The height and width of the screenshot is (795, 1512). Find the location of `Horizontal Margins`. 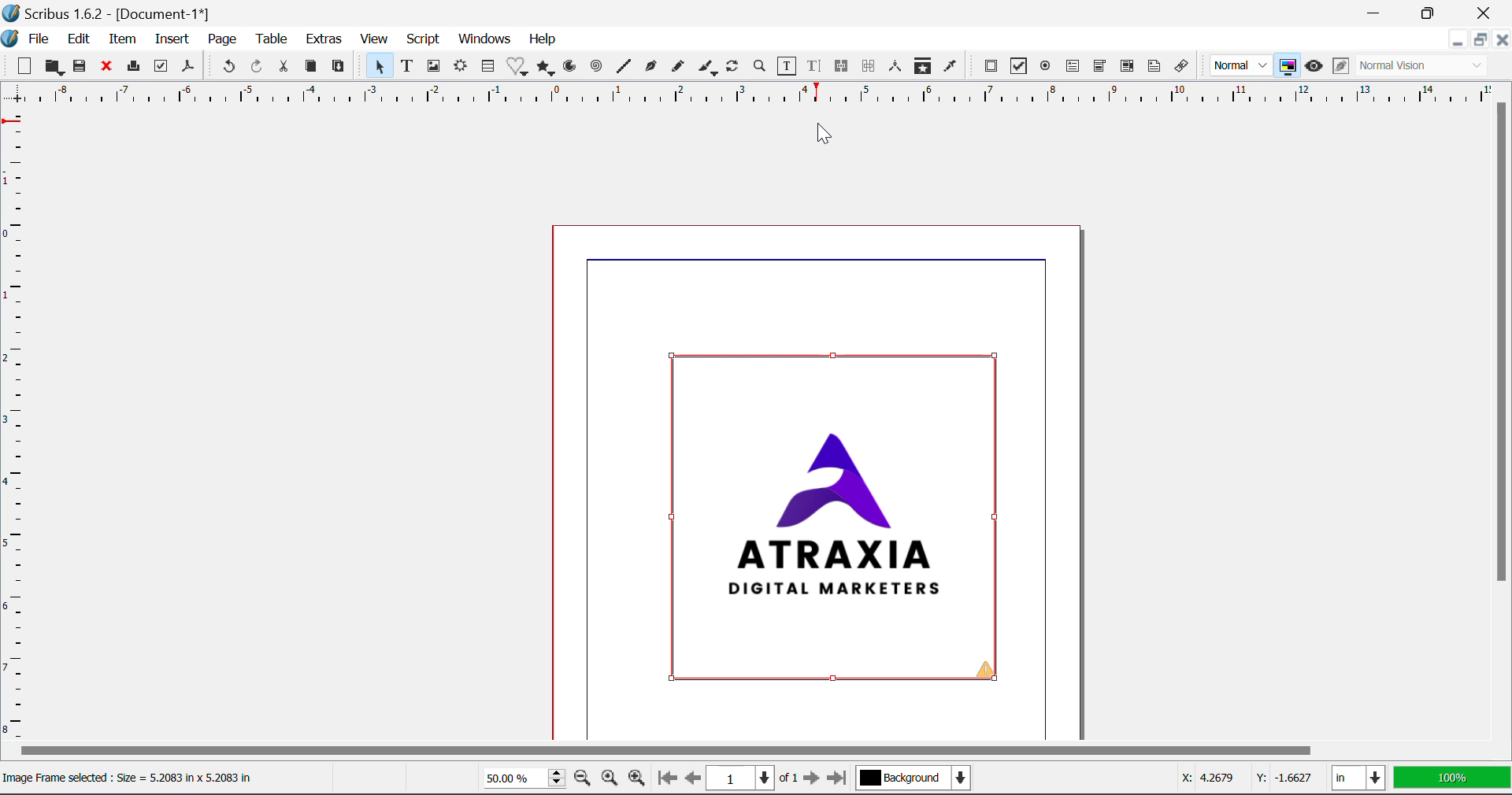

Horizontal Margins is located at coordinates (14, 427).